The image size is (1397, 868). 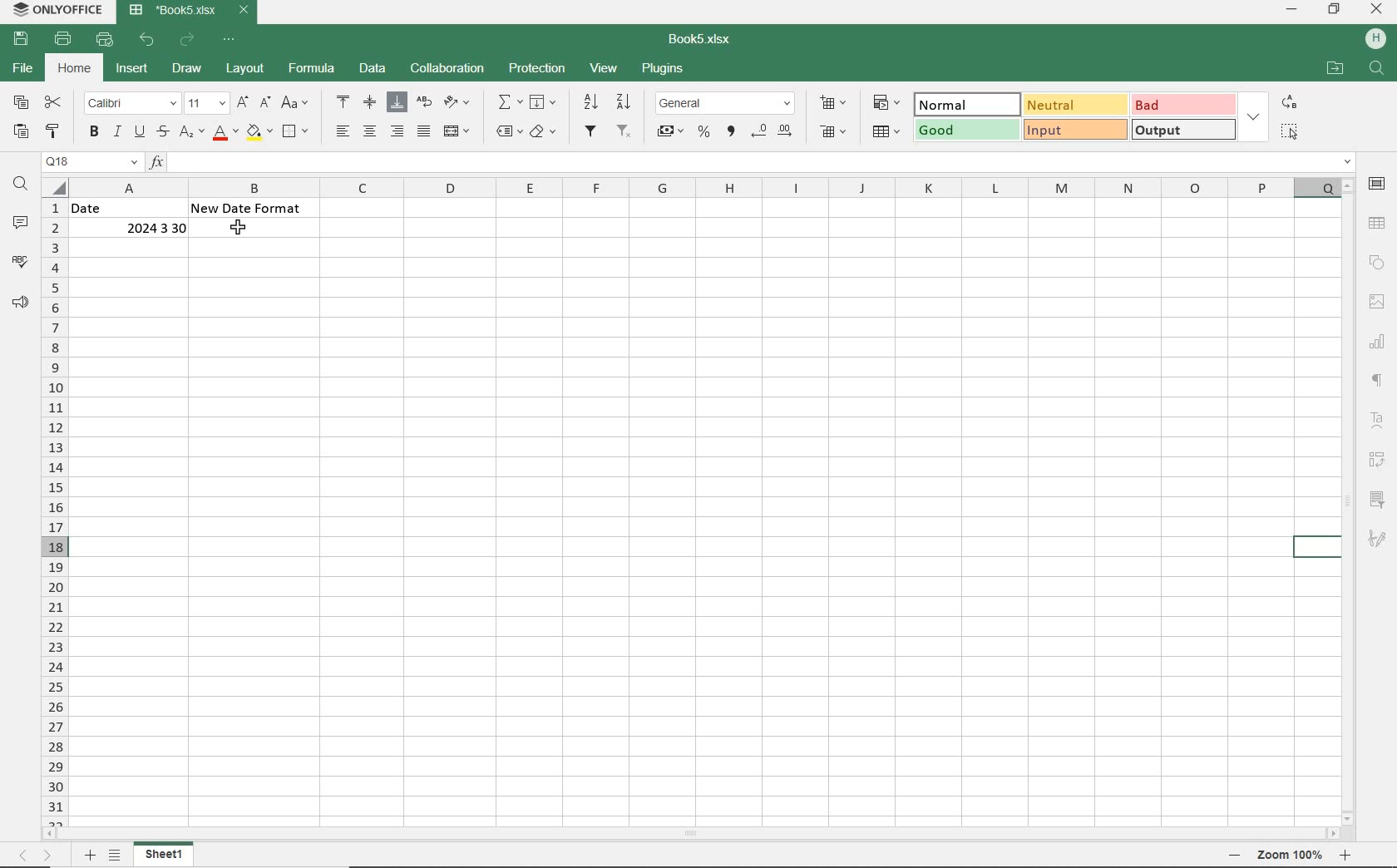 I want to click on TEXT ART, so click(x=1380, y=421).